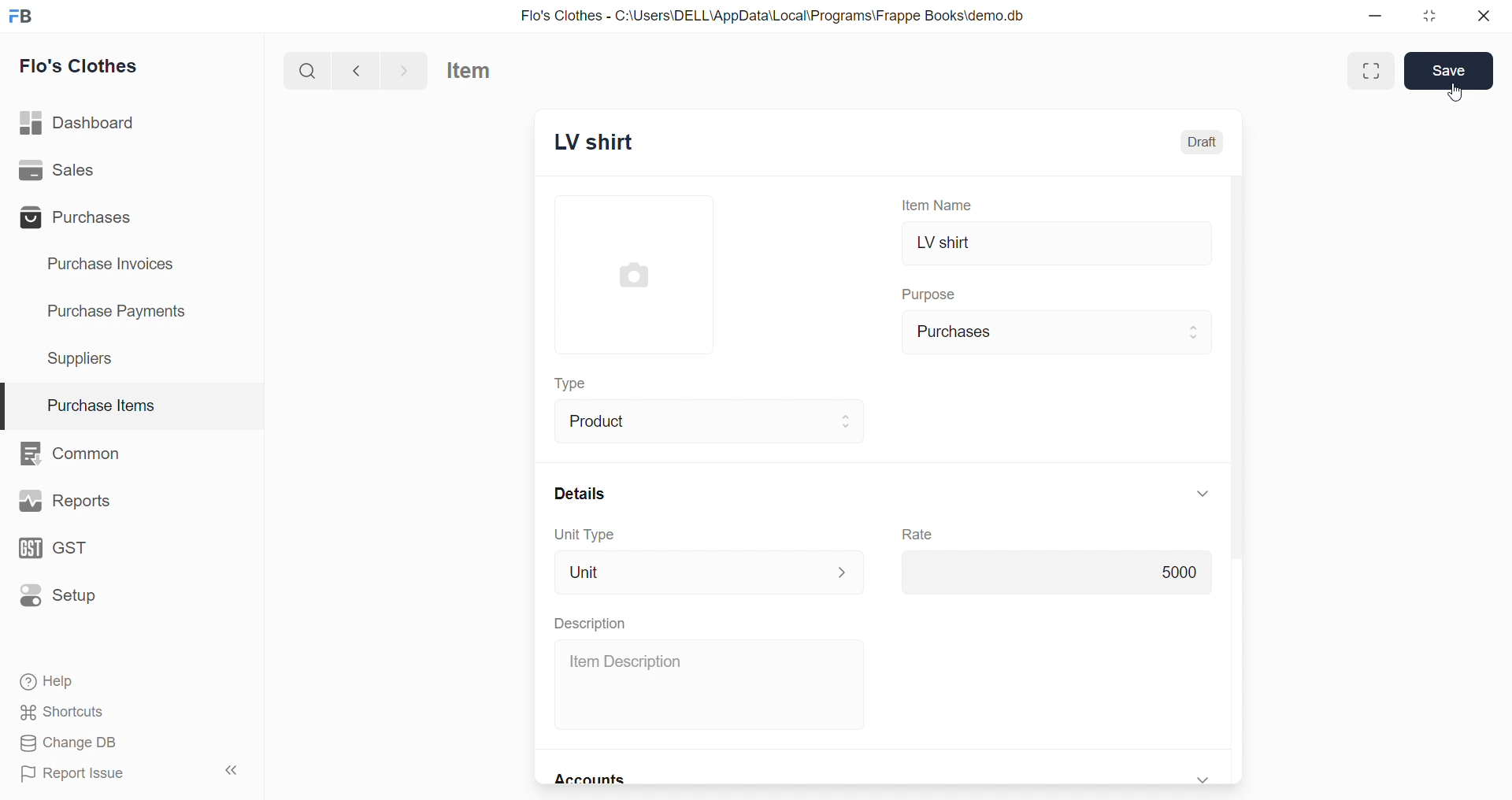 This screenshot has height=800, width=1512. Describe the element at coordinates (74, 550) in the screenshot. I see `GST` at that location.